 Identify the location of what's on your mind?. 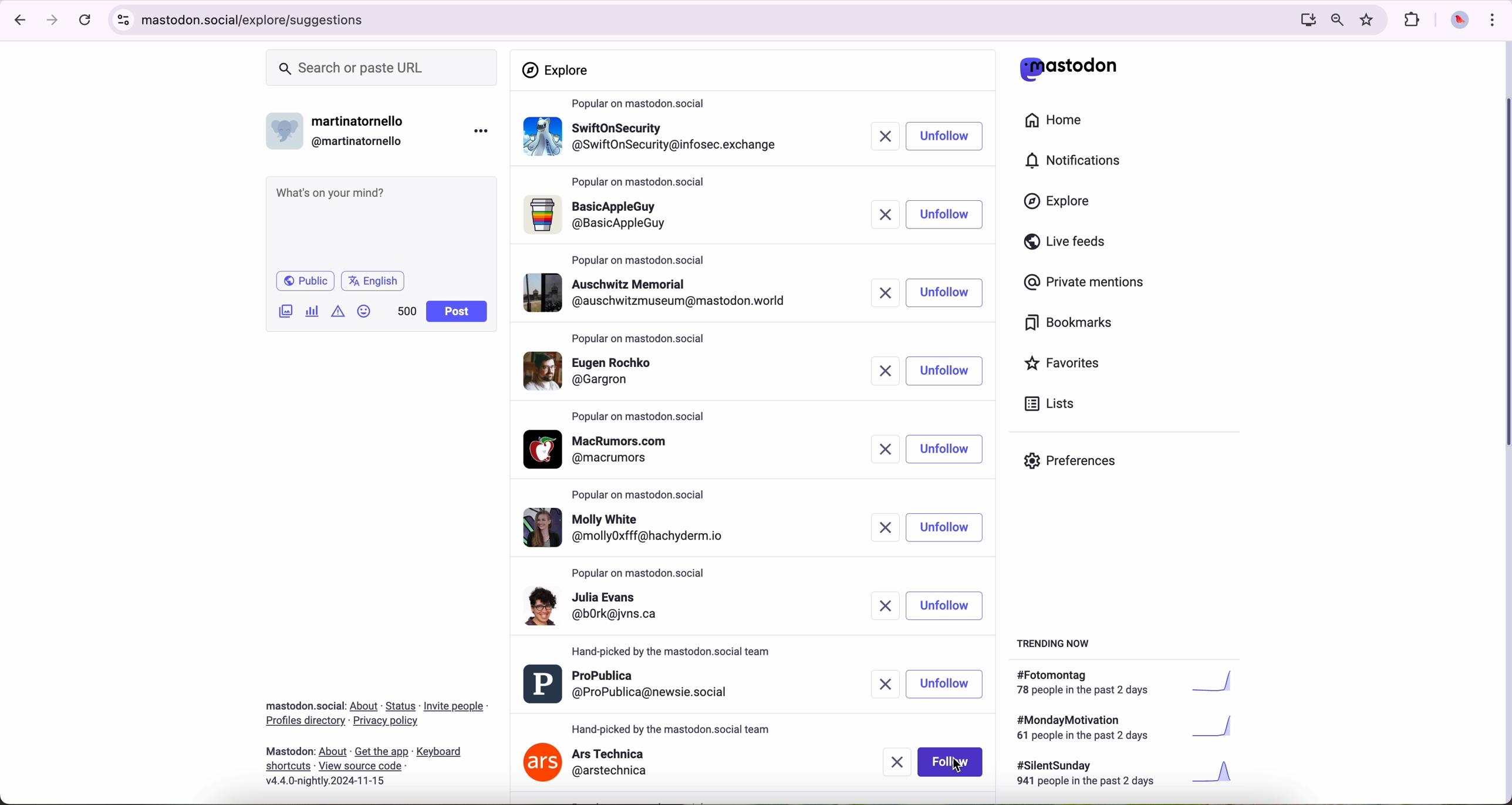
(380, 221).